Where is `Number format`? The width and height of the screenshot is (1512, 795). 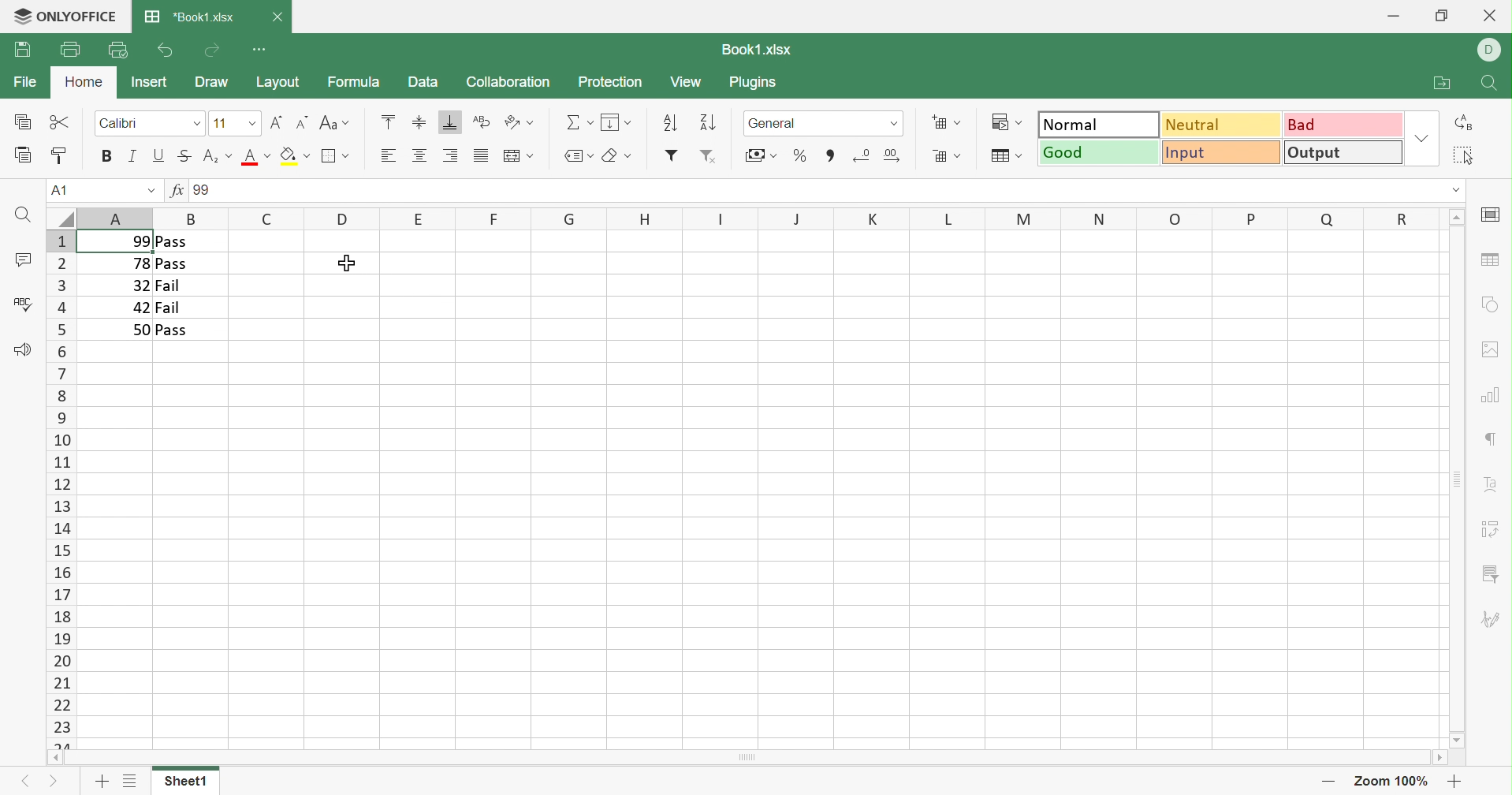
Number format is located at coordinates (822, 123).